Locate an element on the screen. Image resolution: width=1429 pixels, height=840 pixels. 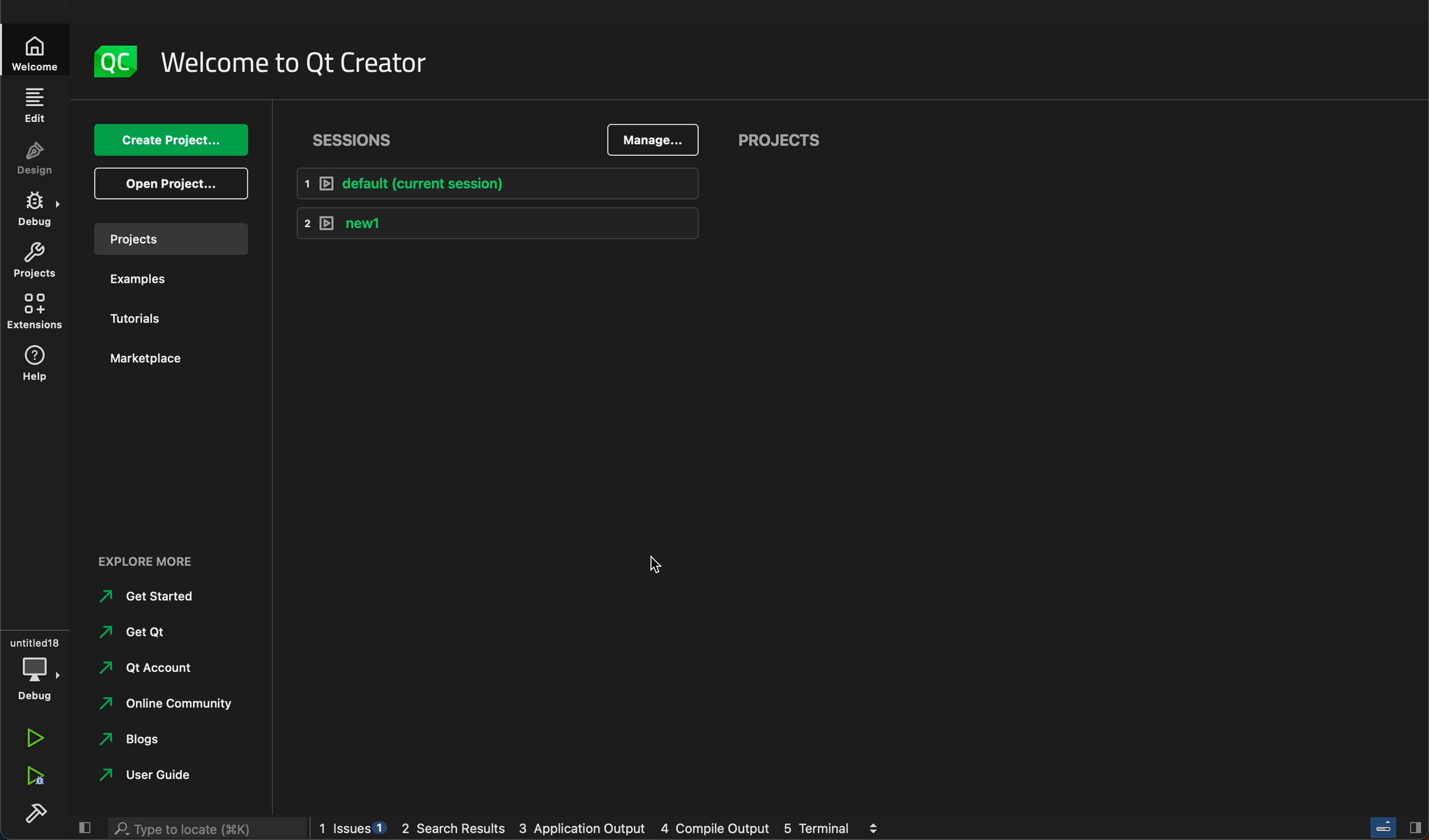
new1 is located at coordinates (500, 223).